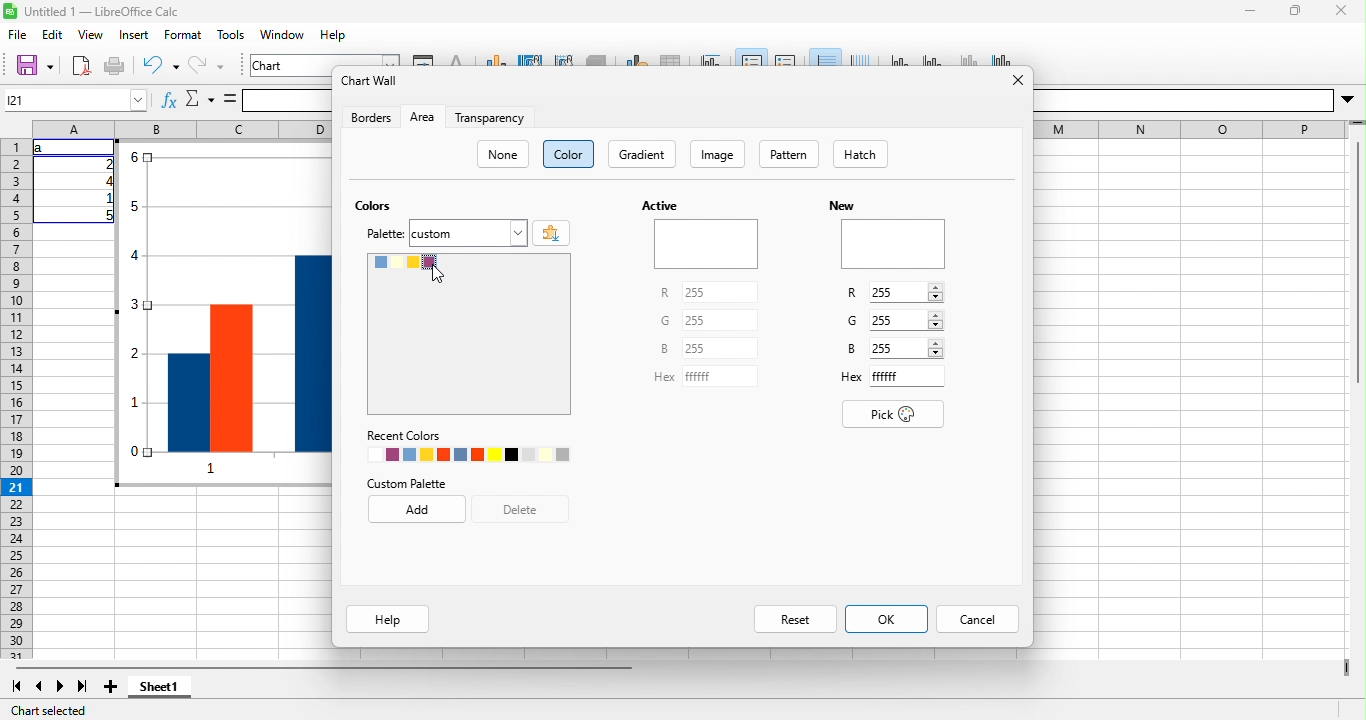 The image size is (1366, 720). What do you see at coordinates (901, 58) in the screenshot?
I see `x axis` at bounding box center [901, 58].